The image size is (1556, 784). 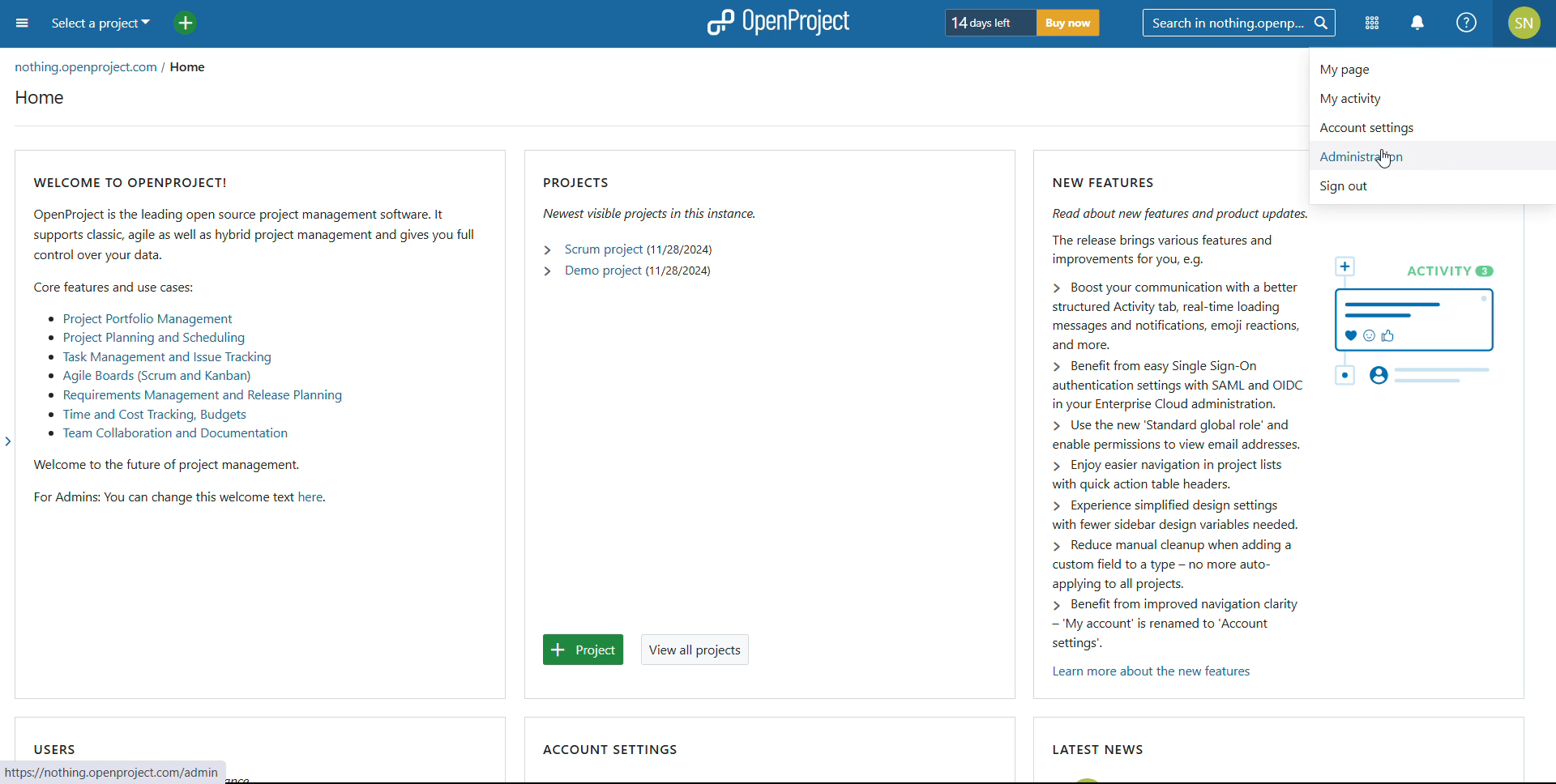 I want to click on home, so click(x=193, y=70).